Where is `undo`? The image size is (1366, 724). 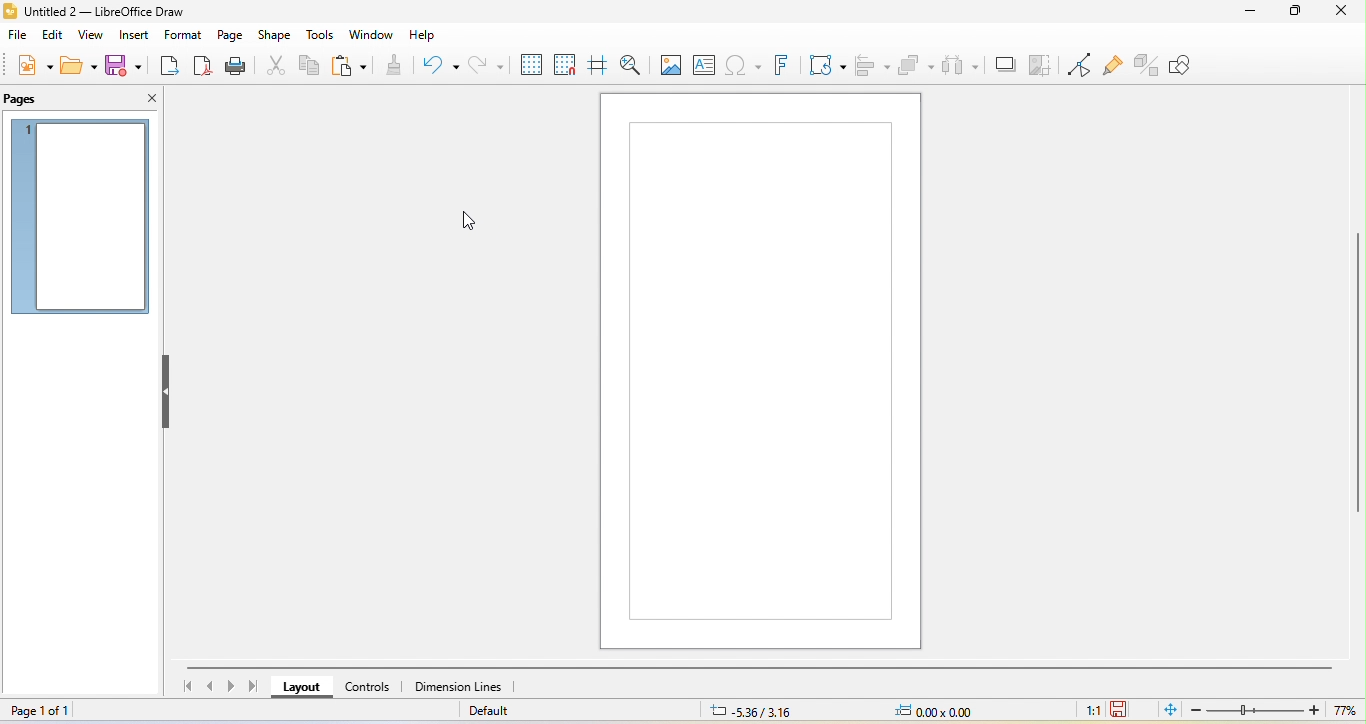 undo is located at coordinates (438, 65).